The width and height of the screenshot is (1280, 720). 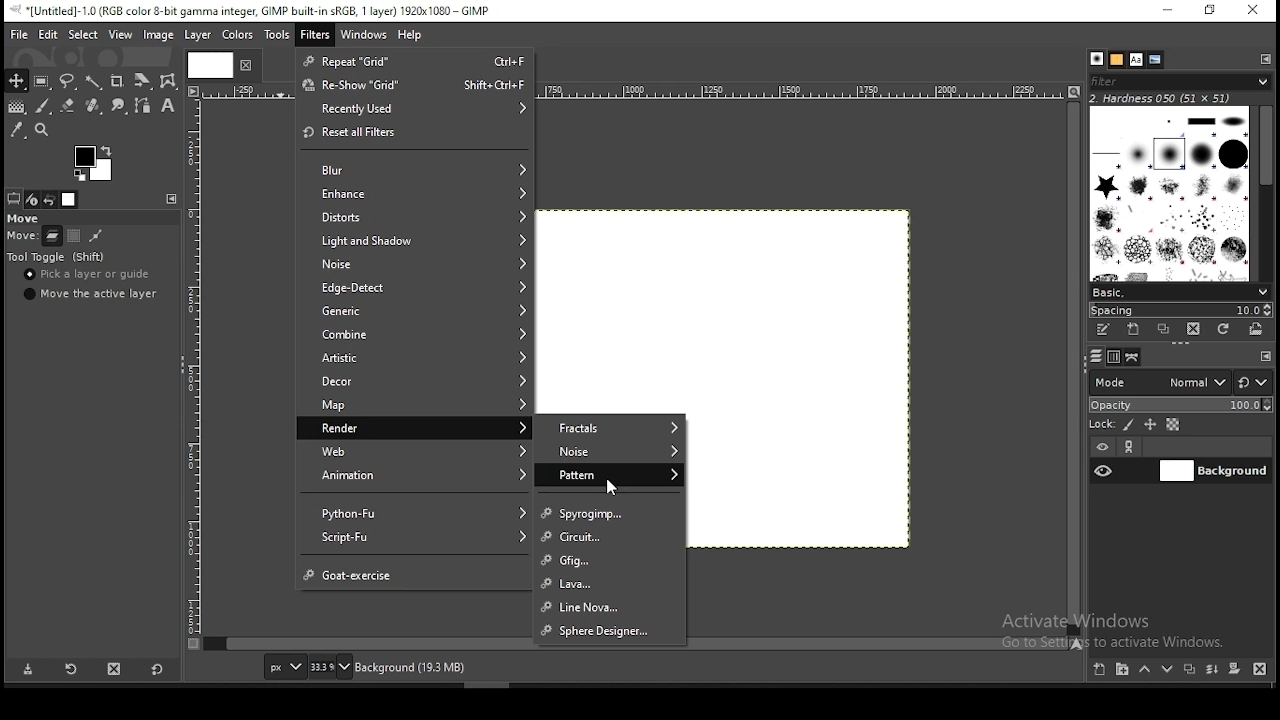 What do you see at coordinates (1116, 358) in the screenshot?
I see `channels` at bounding box center [1116, 358].